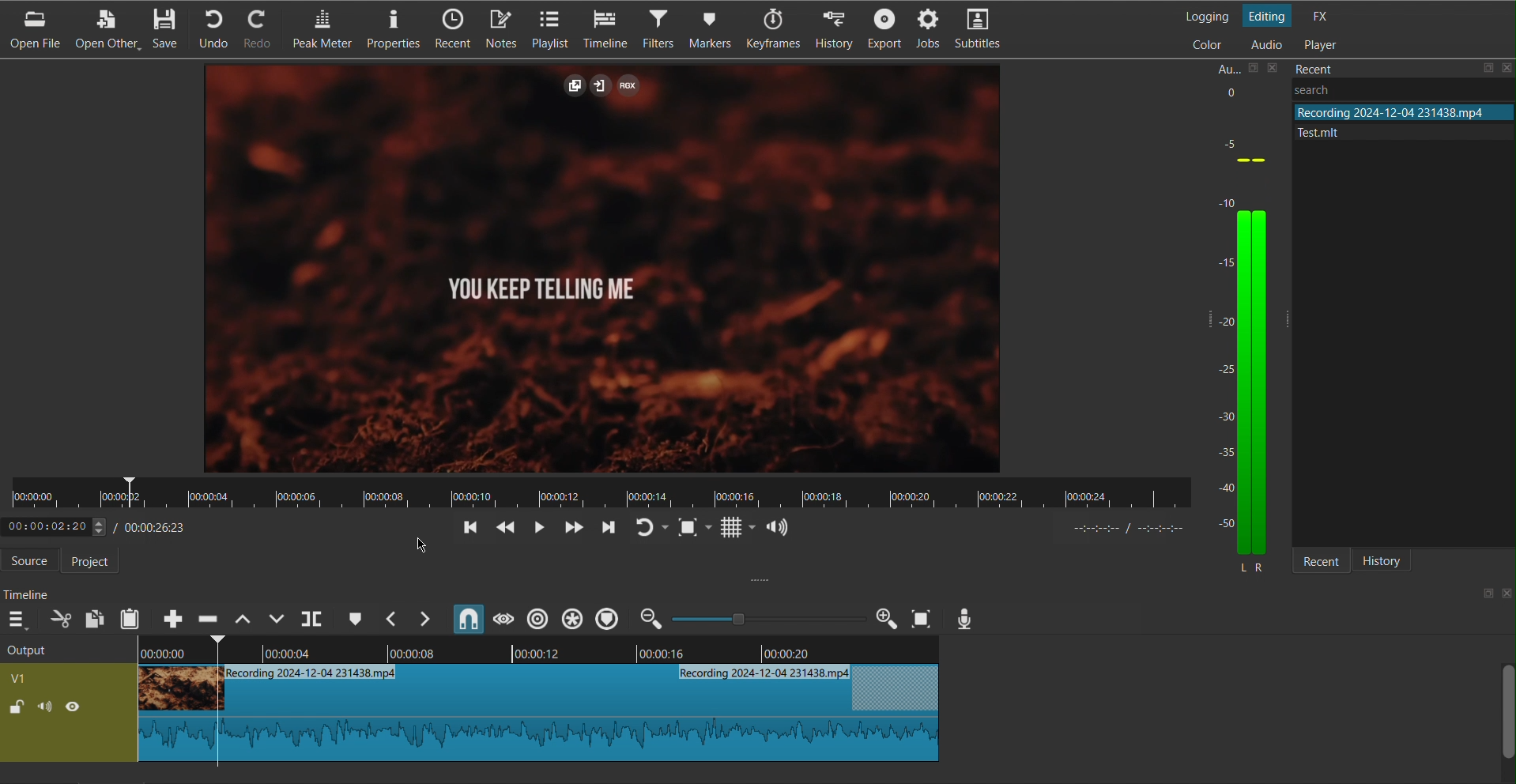  I want to click on Overwrite, so click(277, 618).